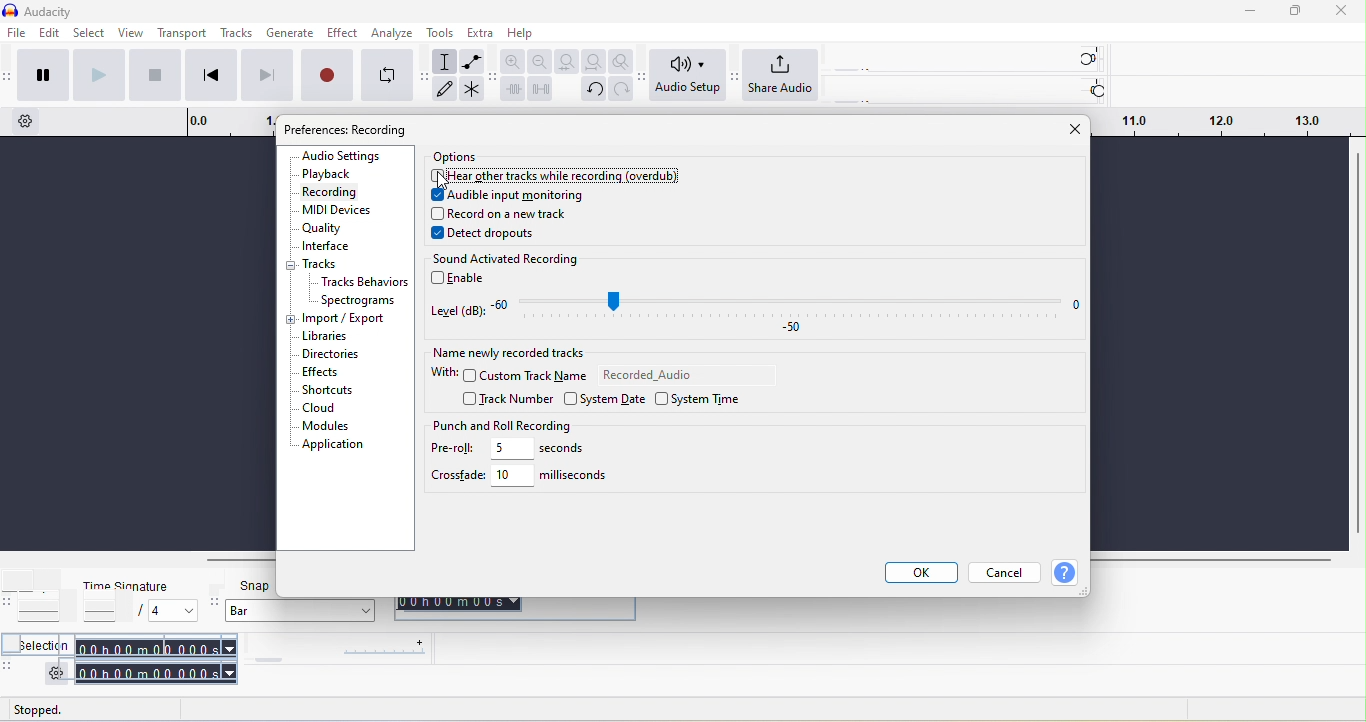 This screenshot has height=722, width=1366. Describe the element at coordinates (132, 31) in the screenshot. I see `view` at that location.